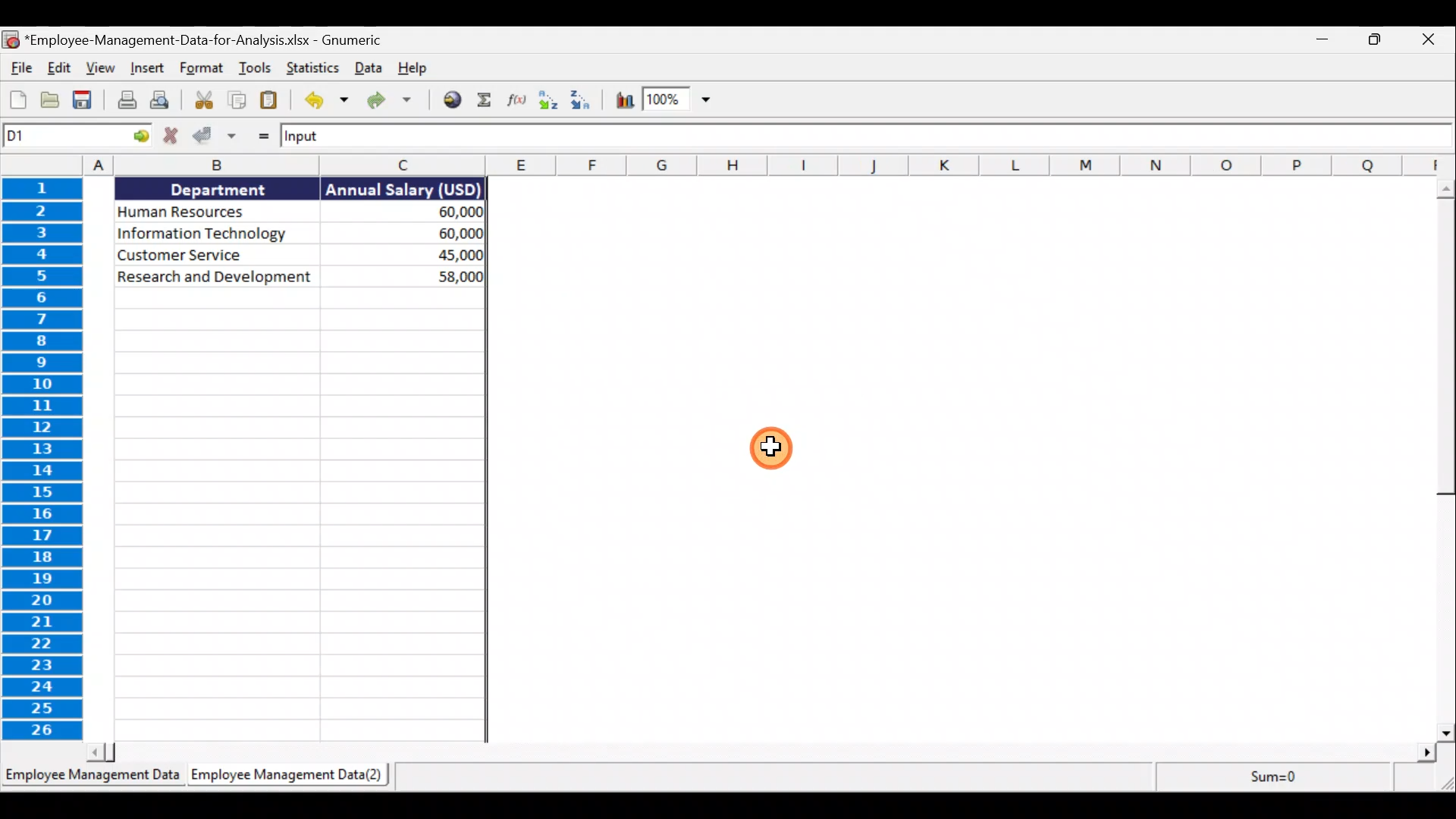 The width and height of the screenshot is (1456, 819). Describe the element at coordinates (261, 136) in the screenshot. I see `Enter formula` at that location.